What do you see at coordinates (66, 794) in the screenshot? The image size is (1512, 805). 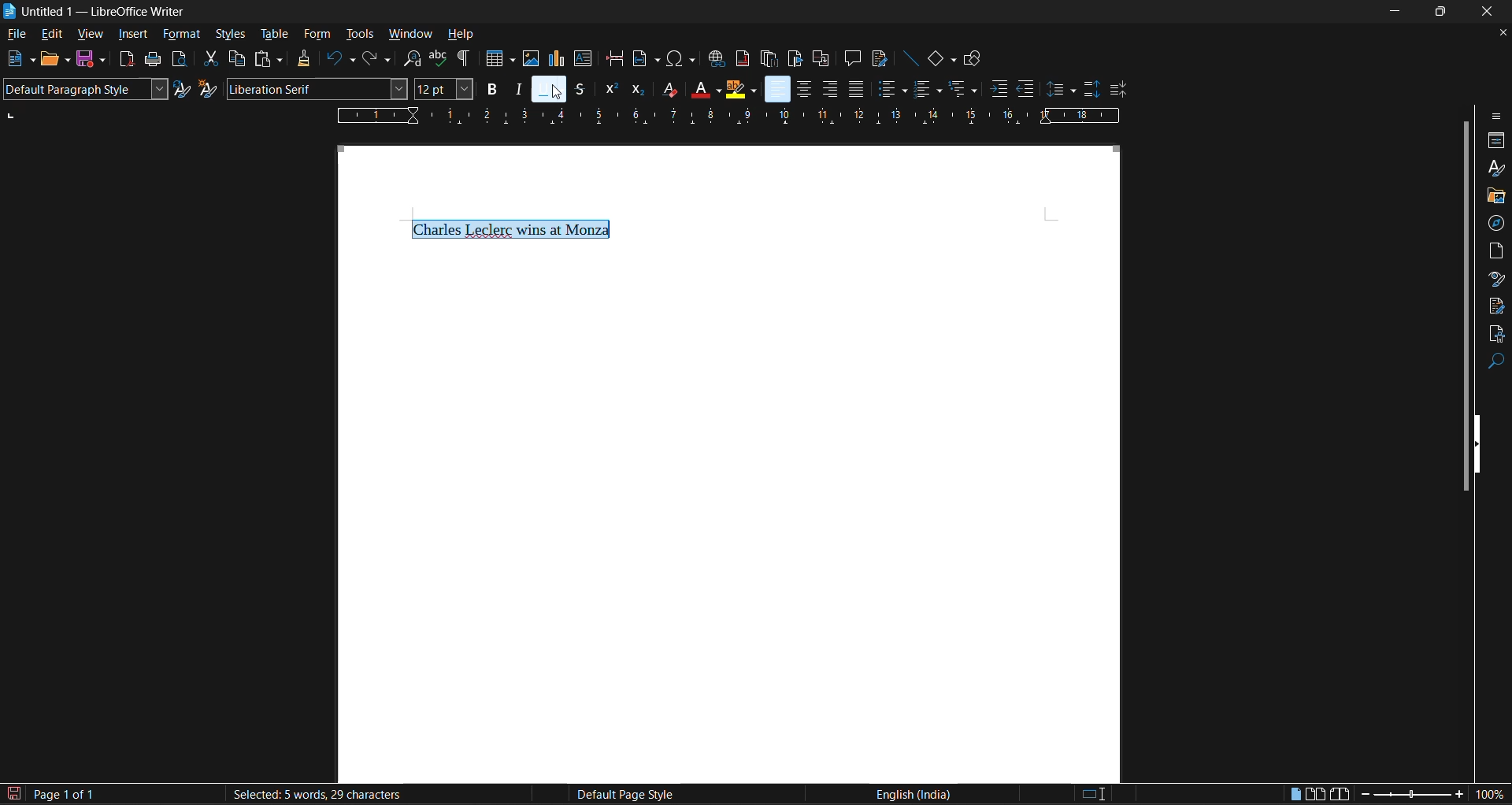 I see `page number in document` at bounding box center [66, 794].